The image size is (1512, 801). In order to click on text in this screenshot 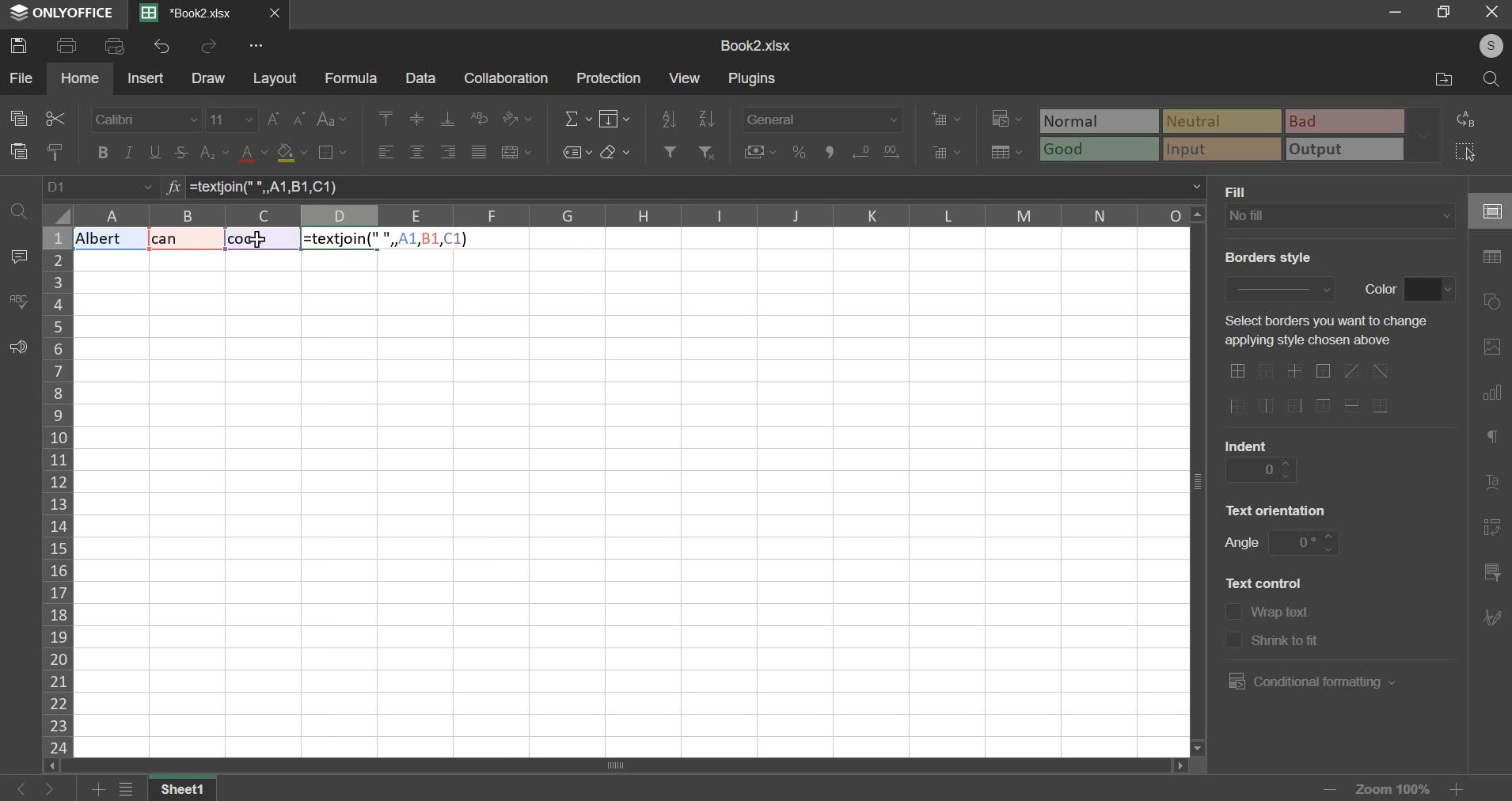, I will do `click(1278, 509)`.